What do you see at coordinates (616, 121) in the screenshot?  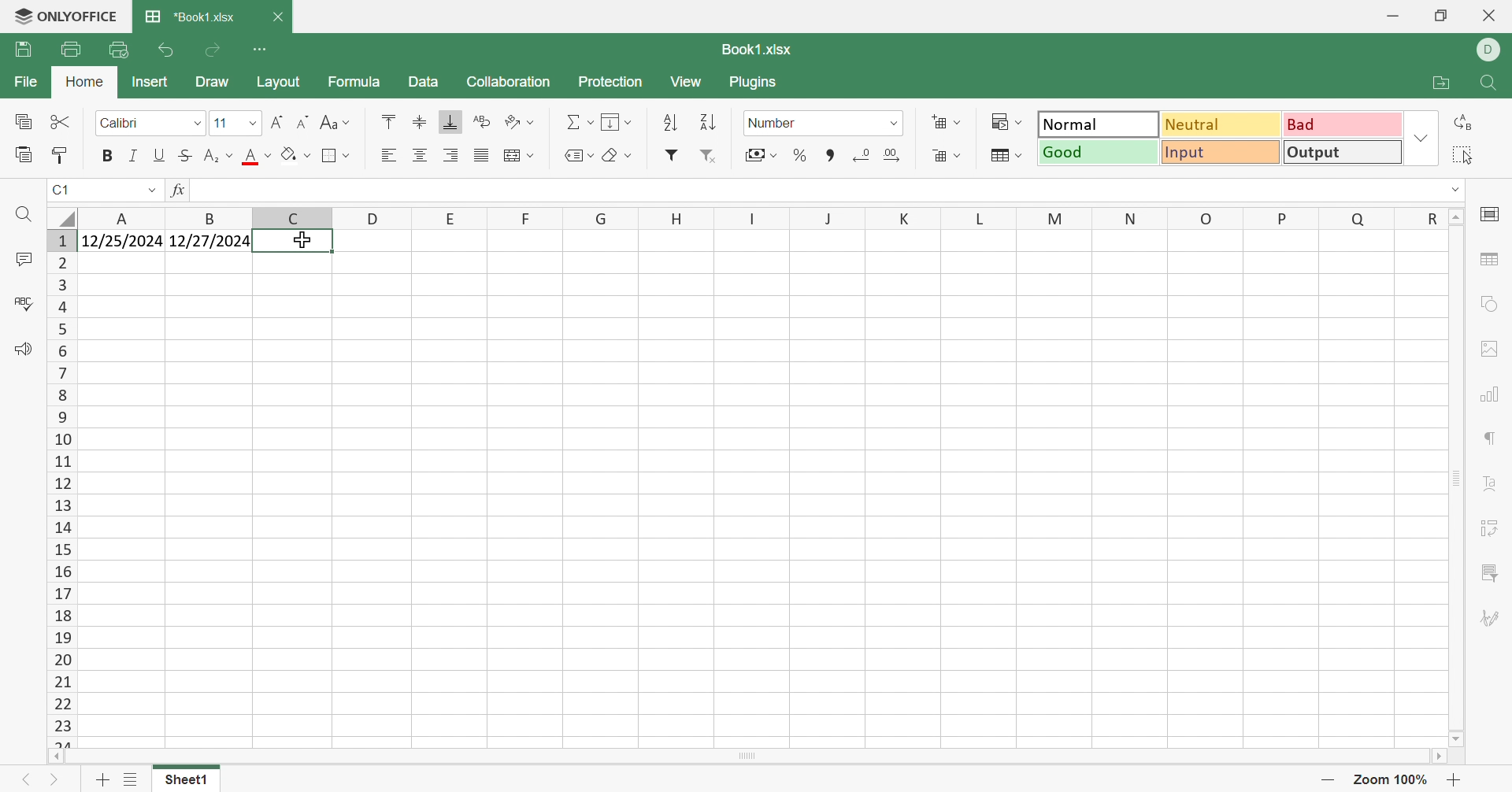 I see `Fill` at bounding box center [616, 121].